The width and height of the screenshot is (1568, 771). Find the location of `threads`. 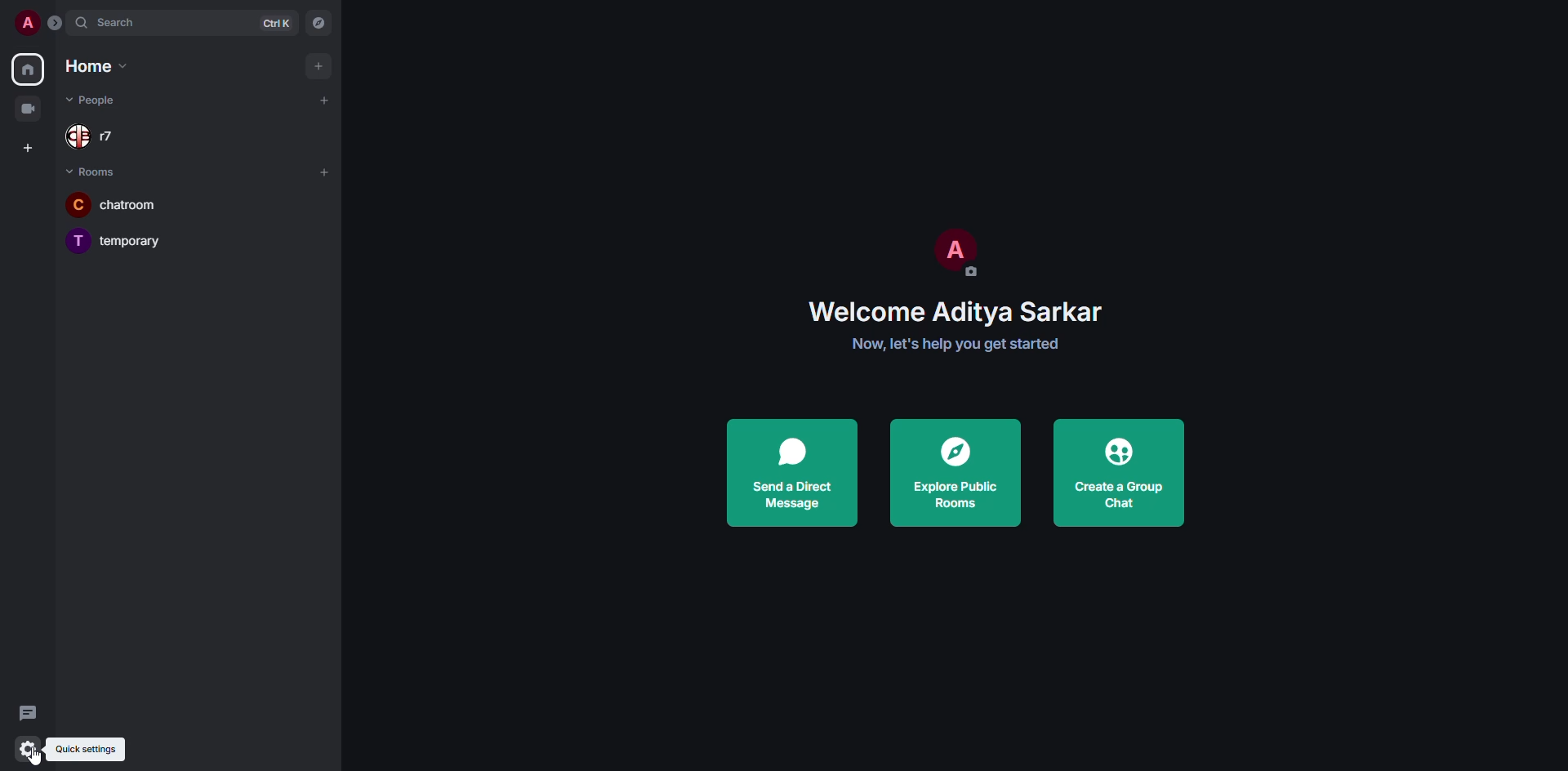

threads is located at coordinates (28, 713).